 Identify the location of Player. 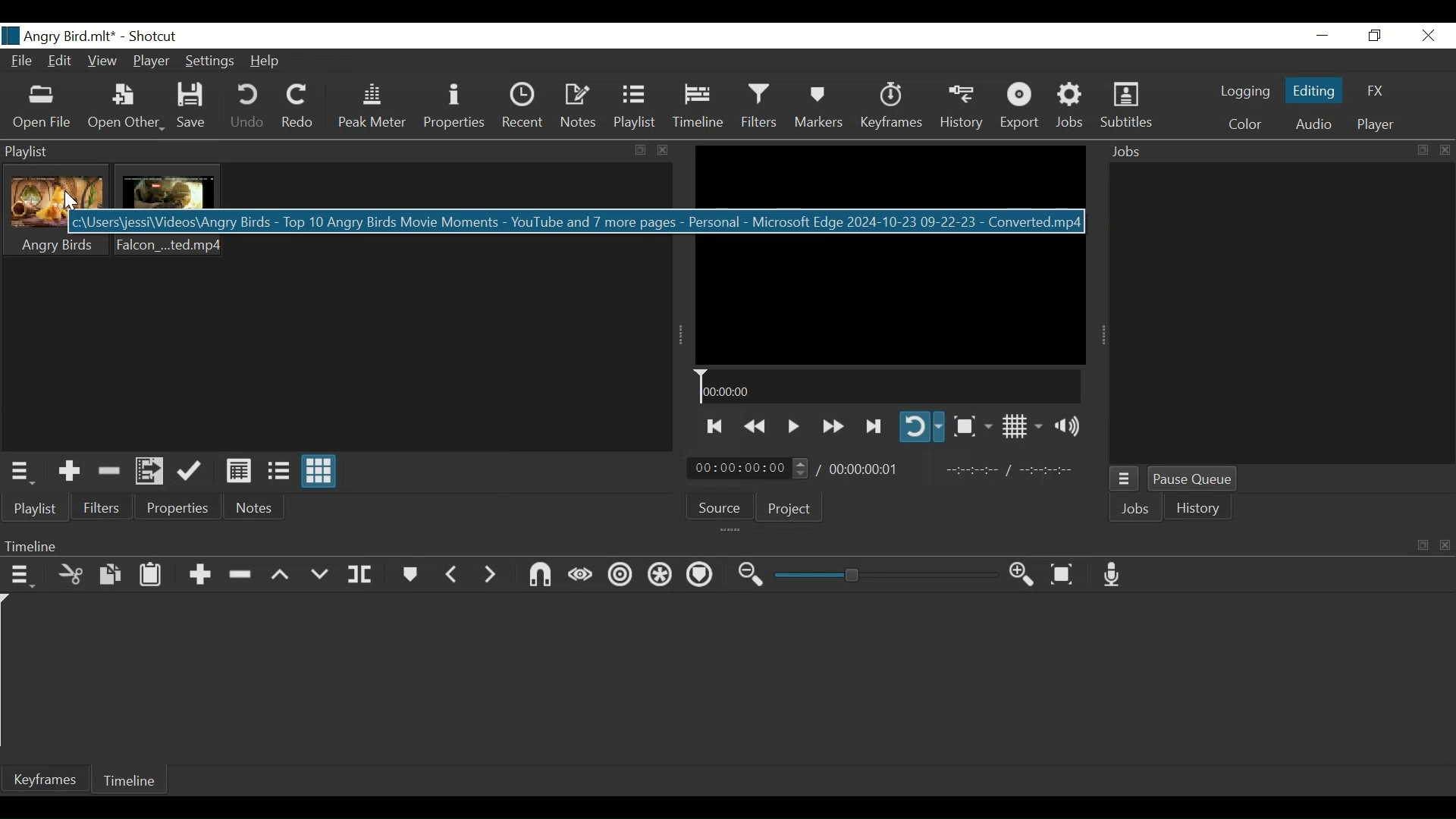
(152, 63).